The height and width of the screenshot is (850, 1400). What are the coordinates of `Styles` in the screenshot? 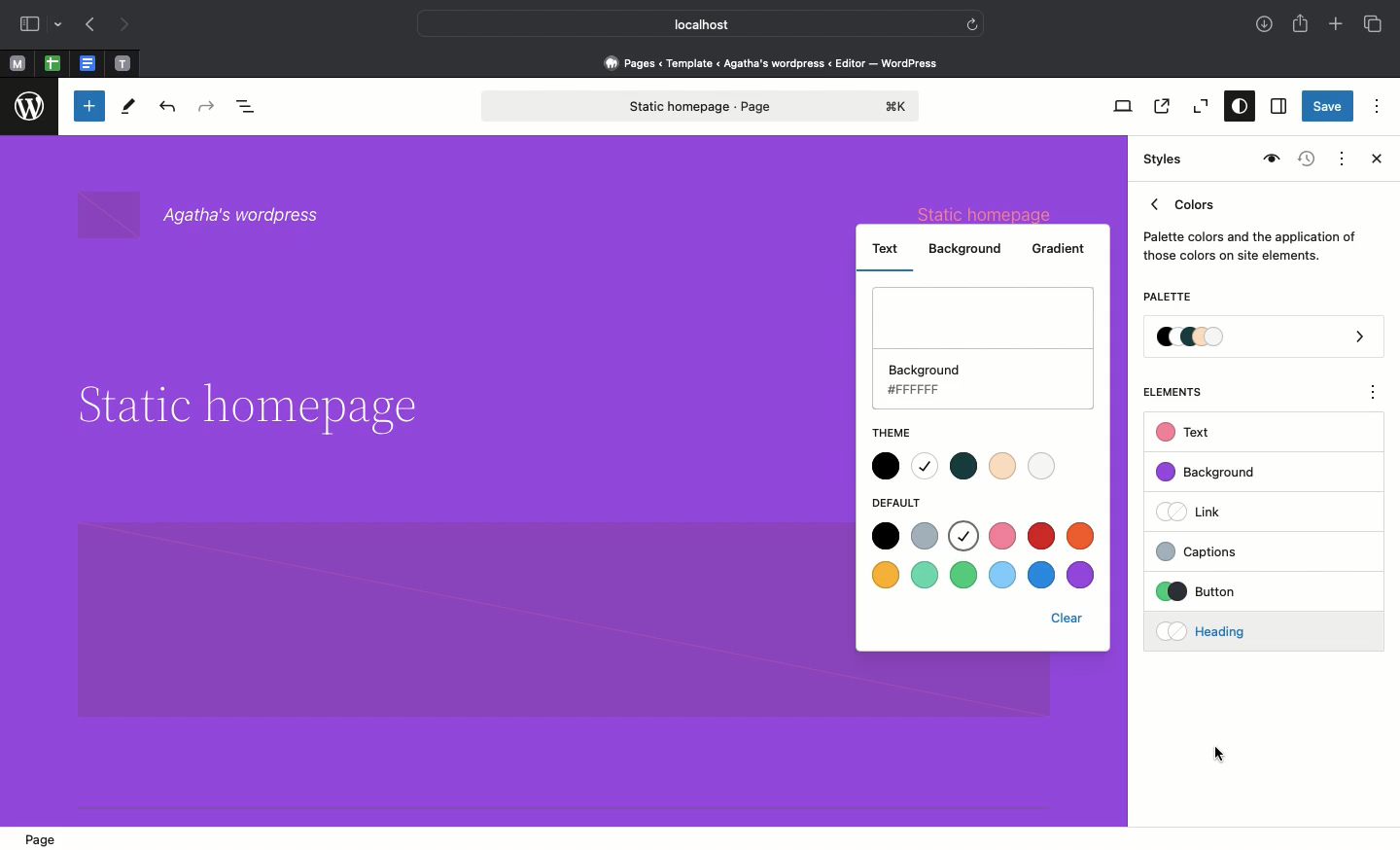 It's located at (1235, 108).